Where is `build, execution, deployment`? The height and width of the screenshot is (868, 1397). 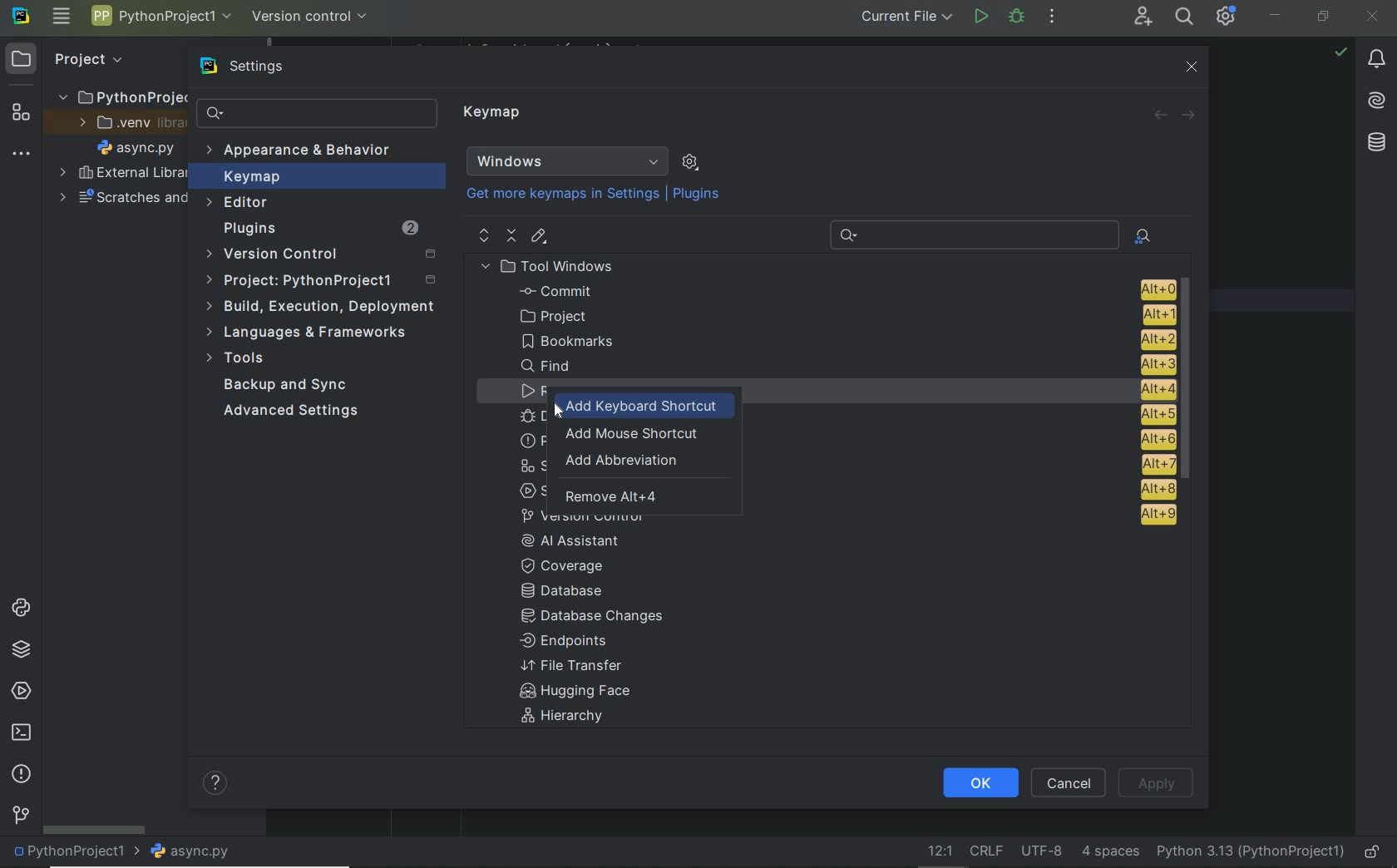 build, execution, deployment is located at coordinates (319, 307).